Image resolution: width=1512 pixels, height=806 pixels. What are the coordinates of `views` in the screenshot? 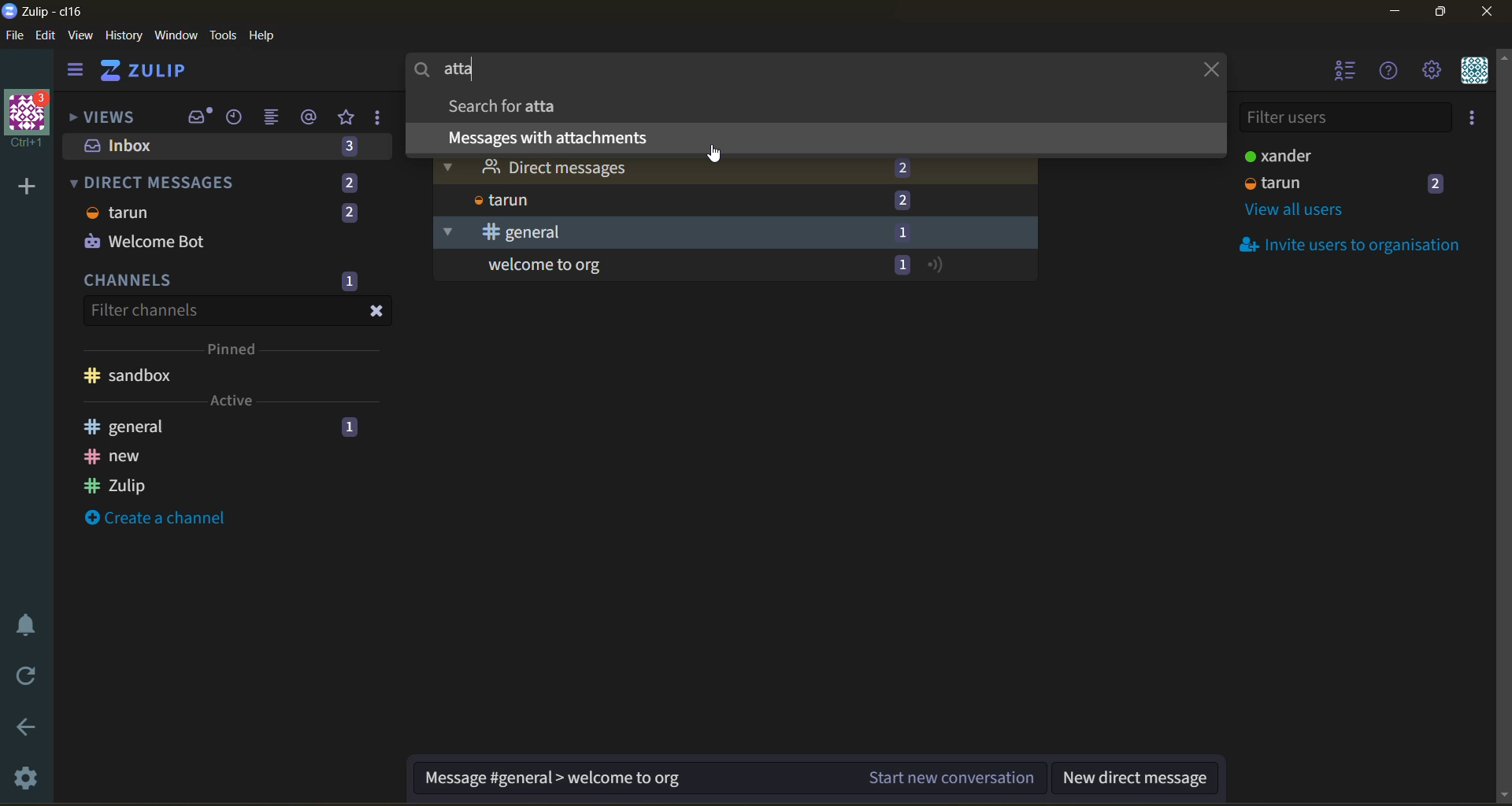 It's located at (109, 118).